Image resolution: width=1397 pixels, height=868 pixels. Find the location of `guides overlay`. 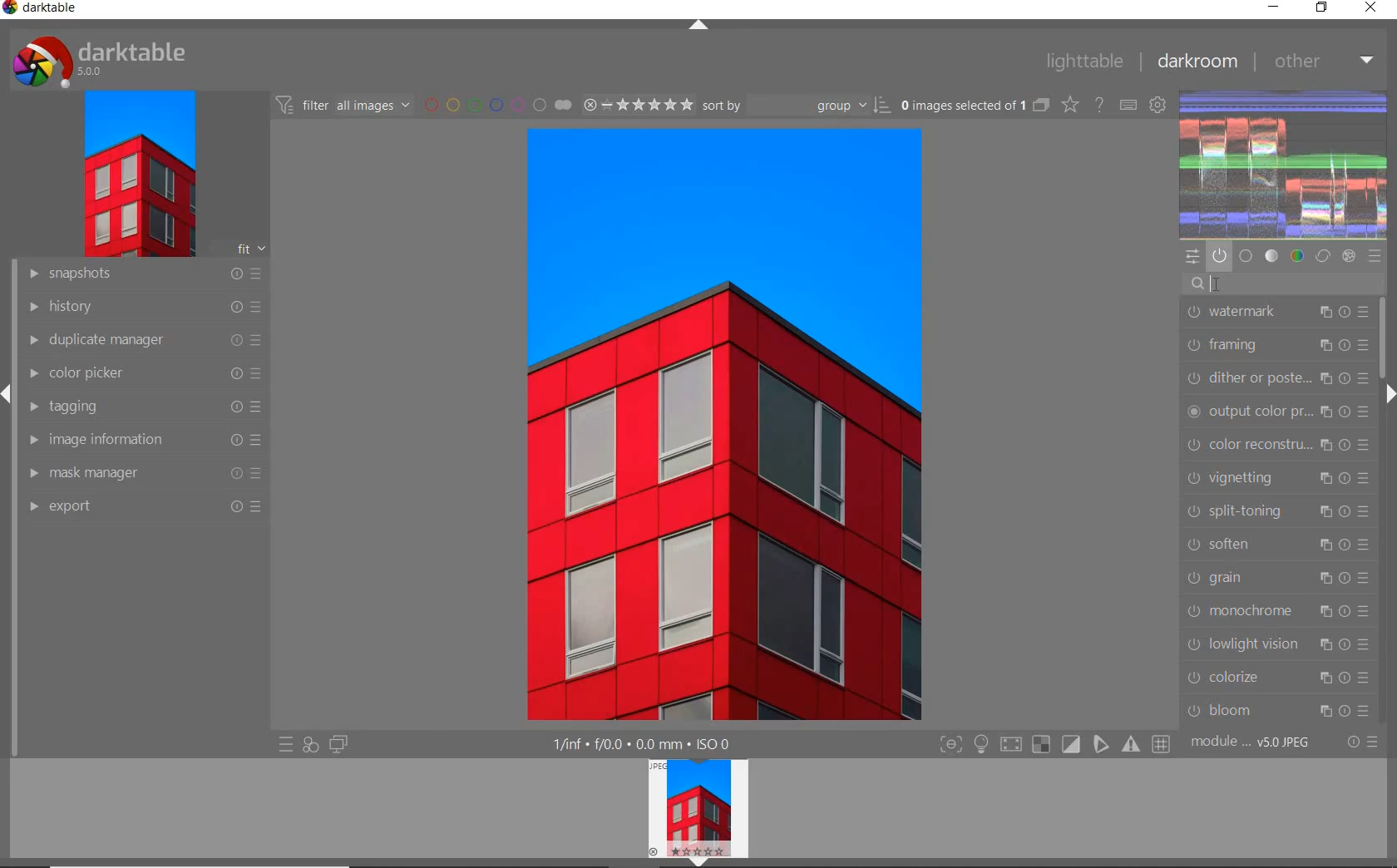

guides overlay is located at coordinates (1100, 745).